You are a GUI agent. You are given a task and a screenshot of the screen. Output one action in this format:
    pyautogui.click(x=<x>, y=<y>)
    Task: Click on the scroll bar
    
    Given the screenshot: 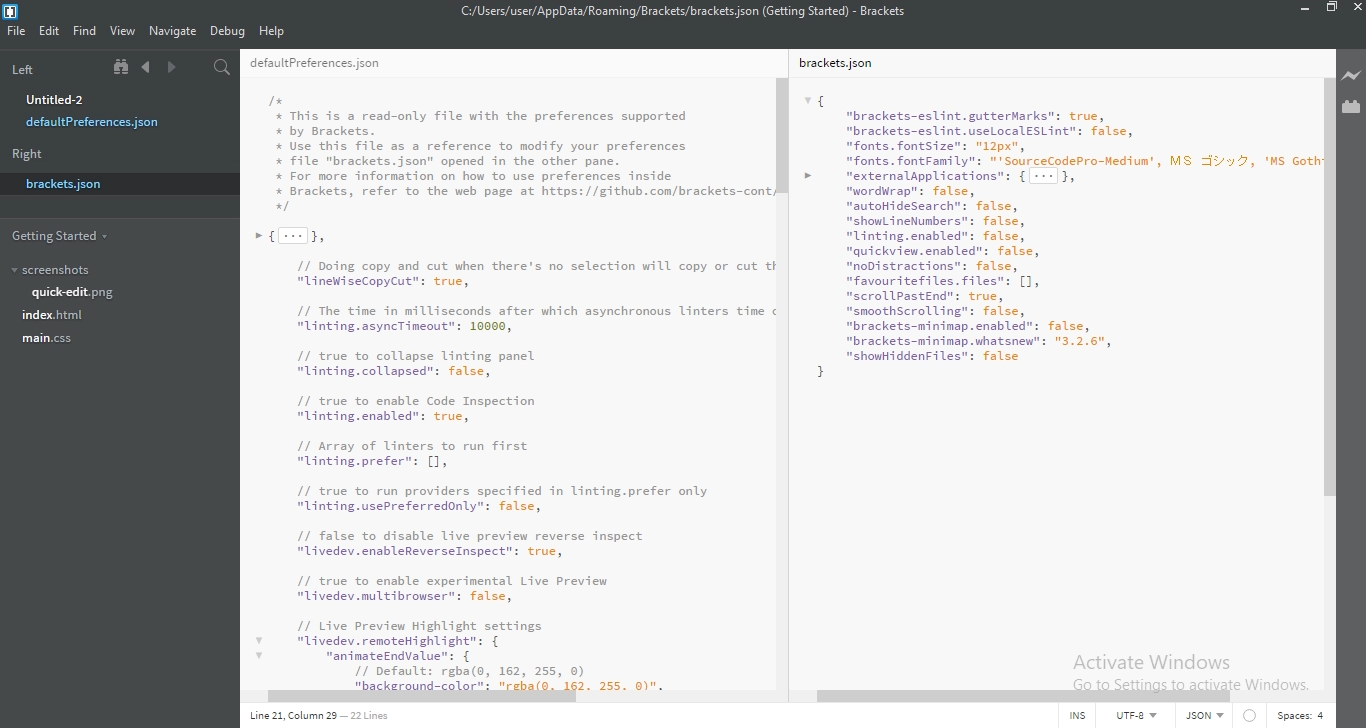 What is the action you would take?
    pyautogui.click(x=1021, y=696)
    